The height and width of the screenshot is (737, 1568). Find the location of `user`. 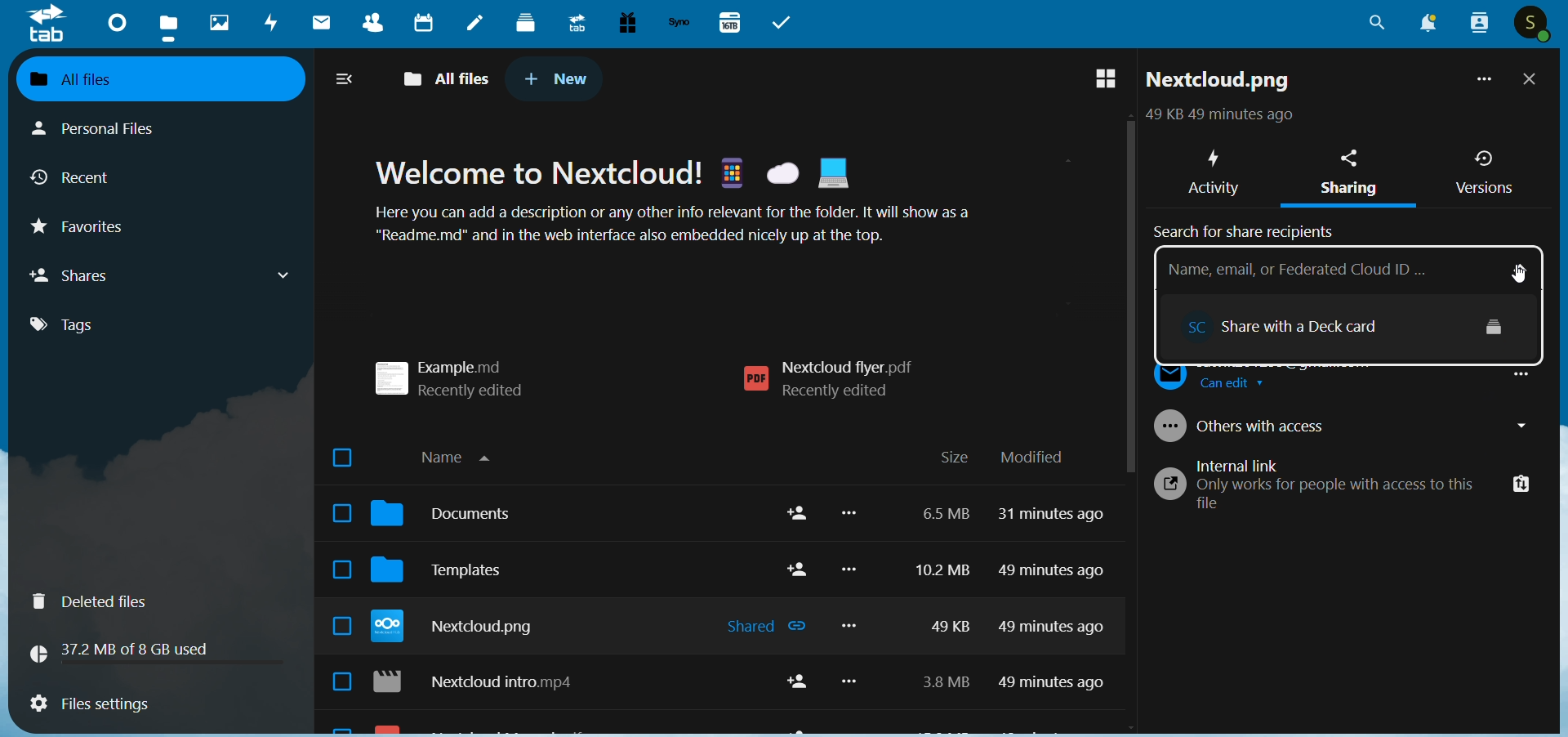

user is located at coordinates (1534, 25).